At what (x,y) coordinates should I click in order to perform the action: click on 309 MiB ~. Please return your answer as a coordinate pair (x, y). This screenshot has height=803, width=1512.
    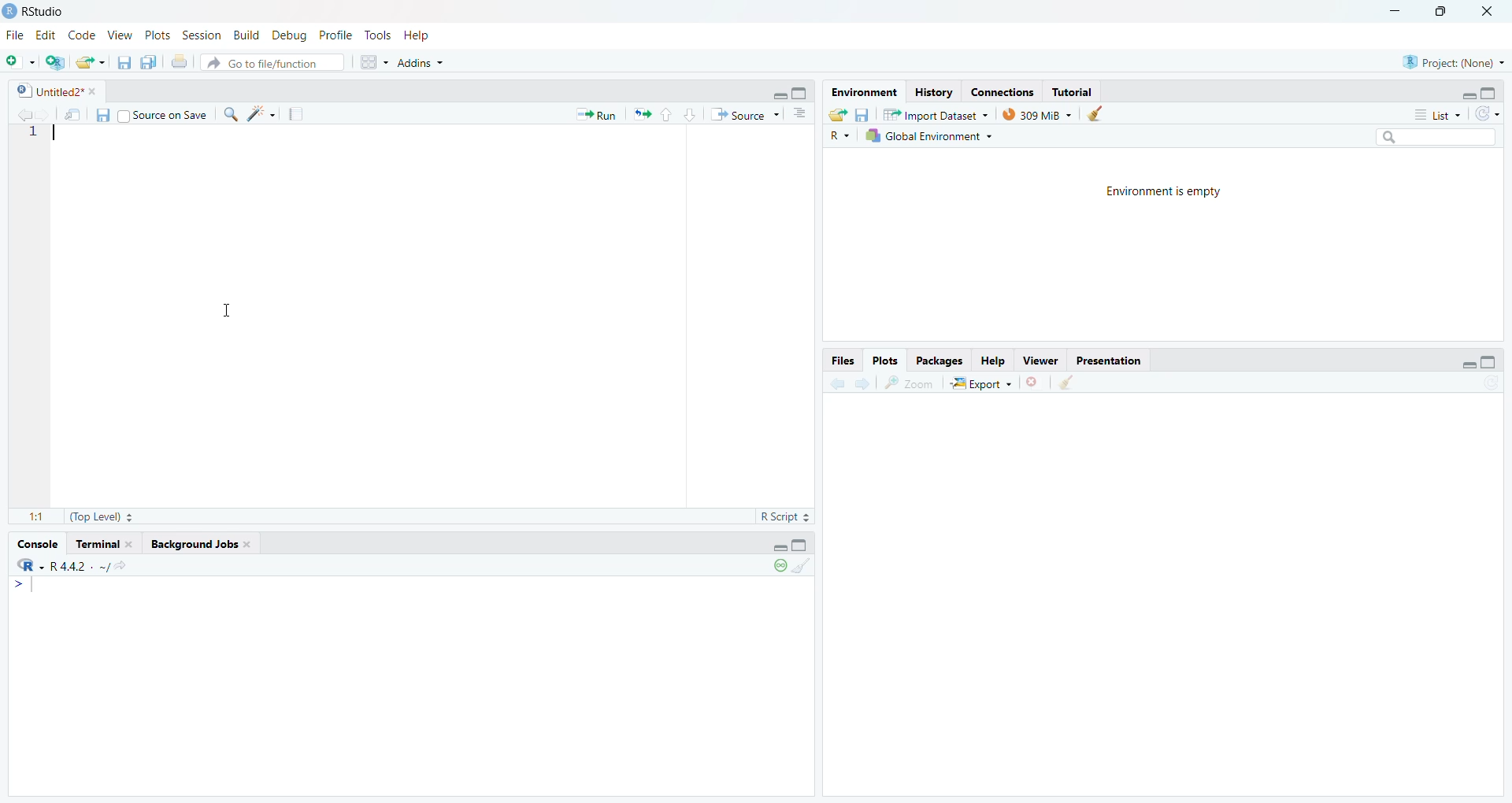
    Looking at the image, I should click on (1039, 113).